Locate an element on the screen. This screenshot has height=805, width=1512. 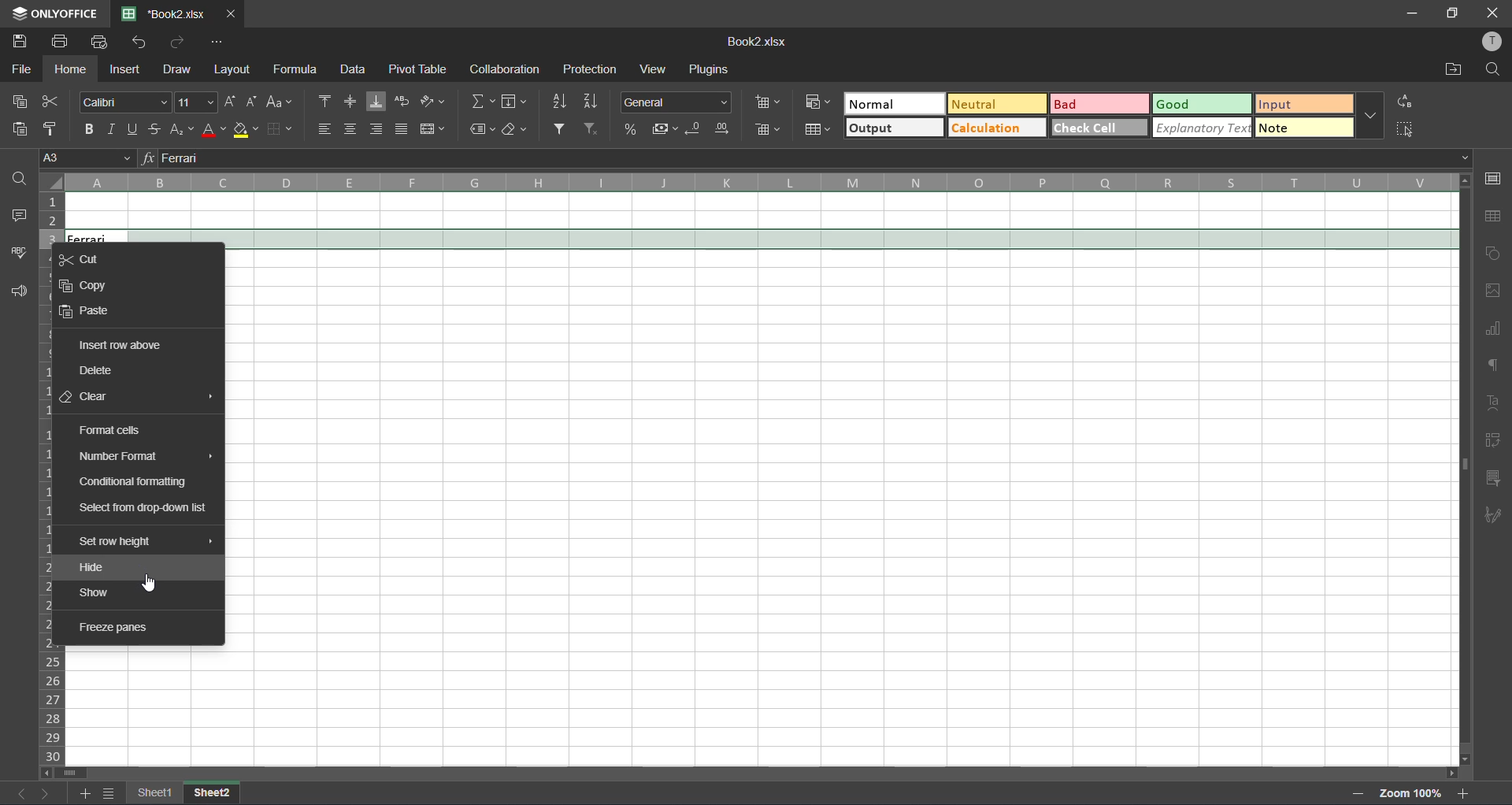
formula is located at coordinates (297, 69).